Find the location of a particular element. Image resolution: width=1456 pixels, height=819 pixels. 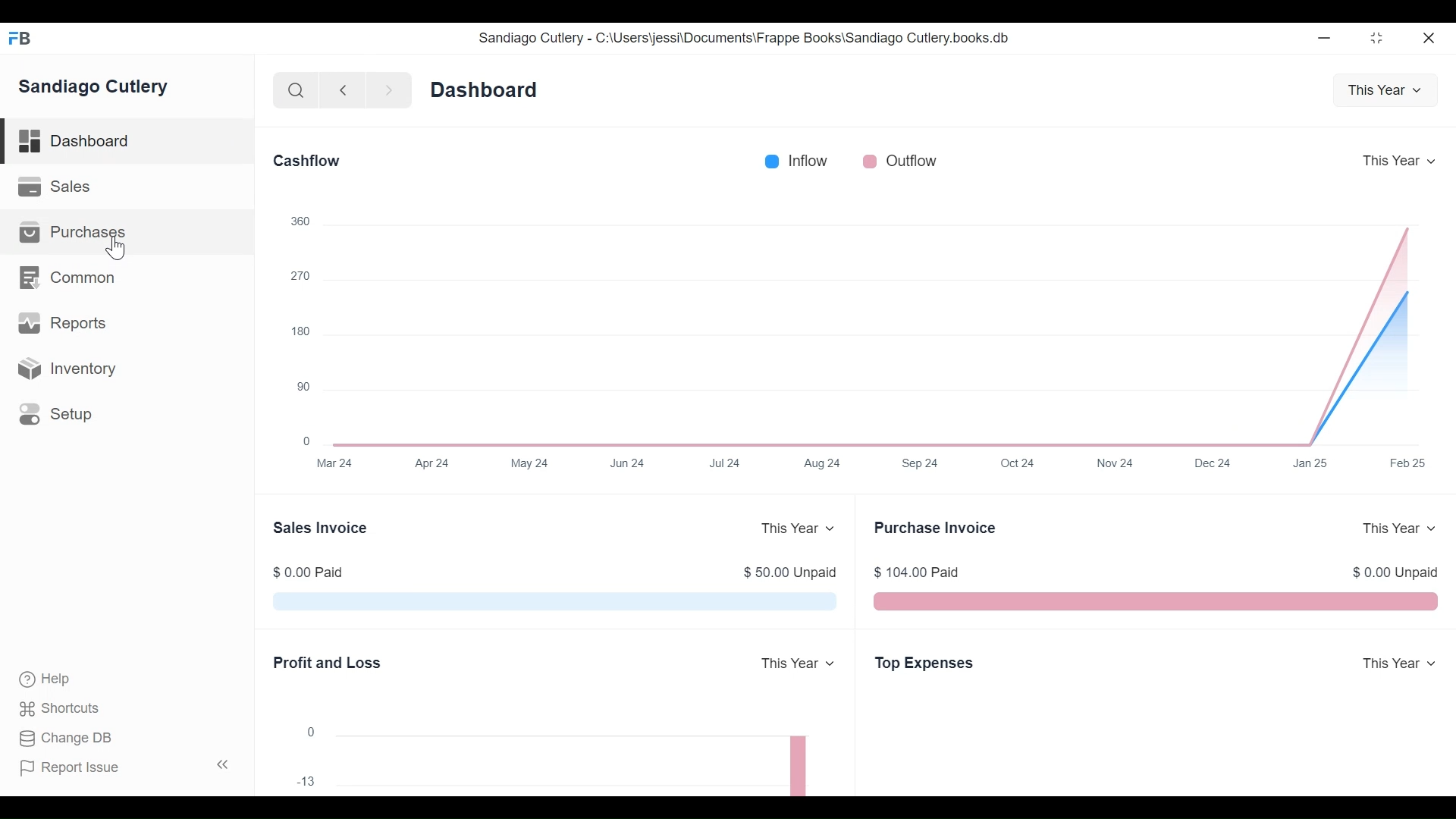

Dashboard is located at coordinates (484, 91).